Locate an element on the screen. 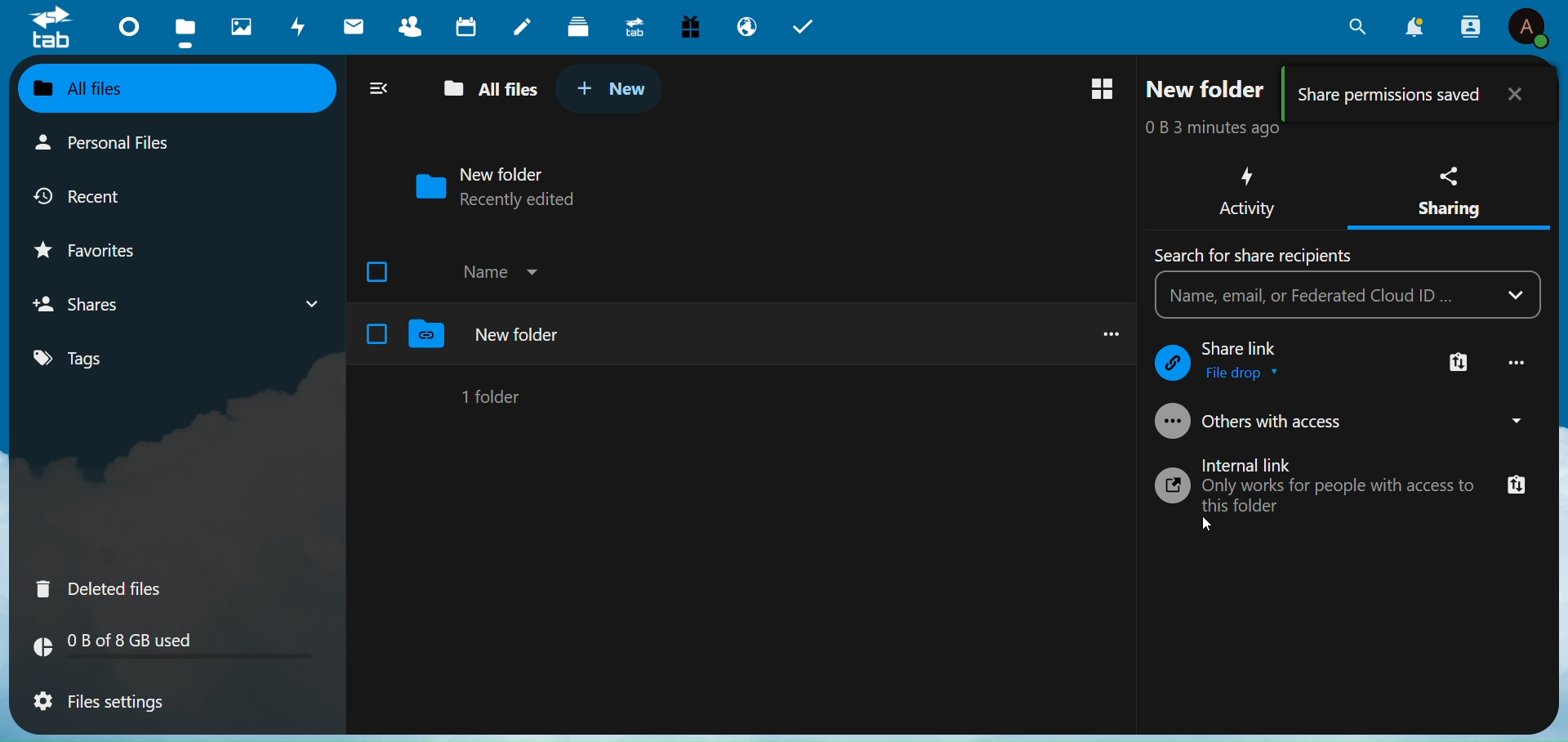 The height and width of the screenshot is (742, 1568). Drop Down is located at coordinates (1512, 419).